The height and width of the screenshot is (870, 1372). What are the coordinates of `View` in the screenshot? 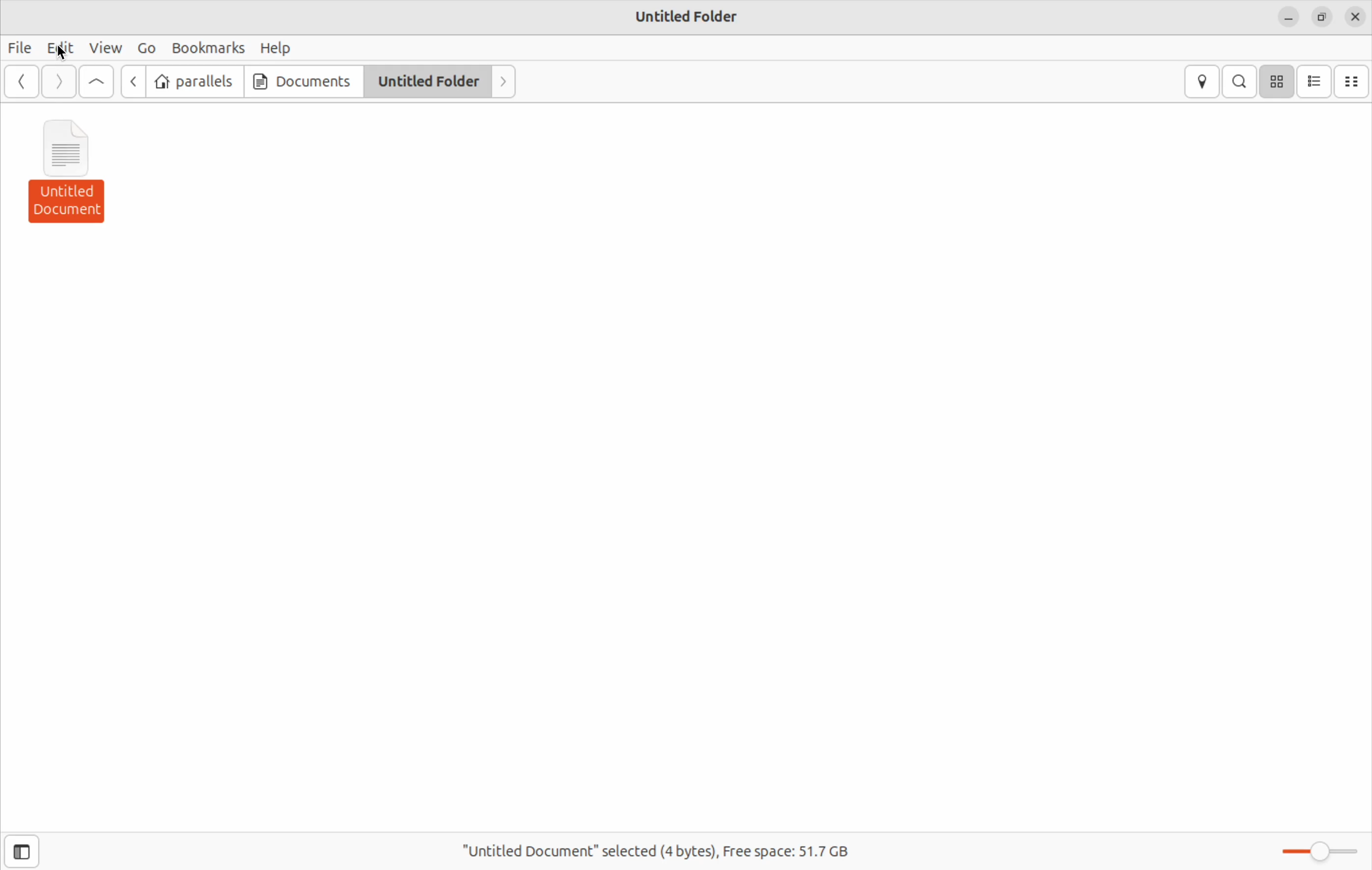 It's located at (107, 48).